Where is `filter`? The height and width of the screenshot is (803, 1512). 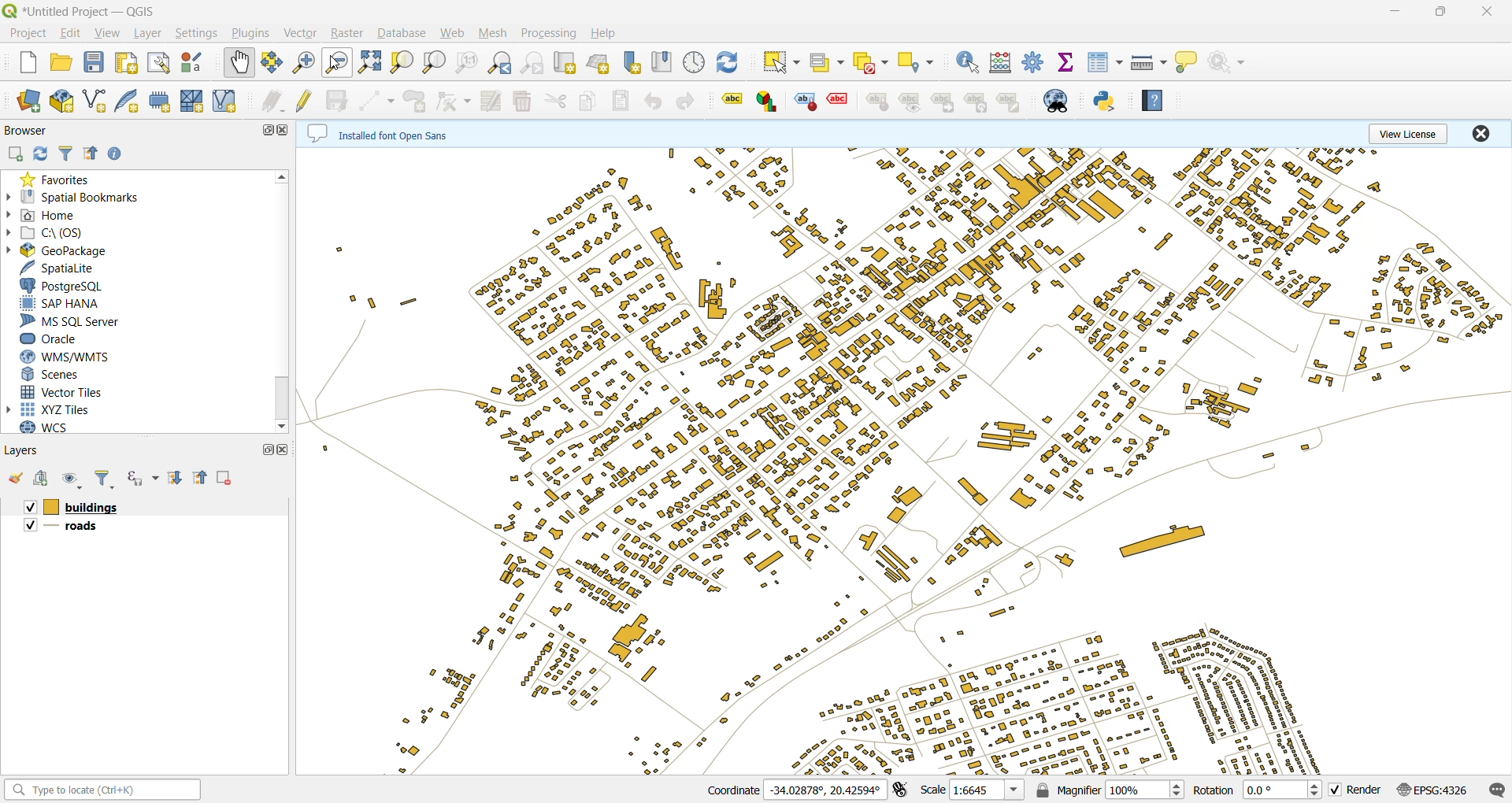 filter is located at coordinates (67, 153).